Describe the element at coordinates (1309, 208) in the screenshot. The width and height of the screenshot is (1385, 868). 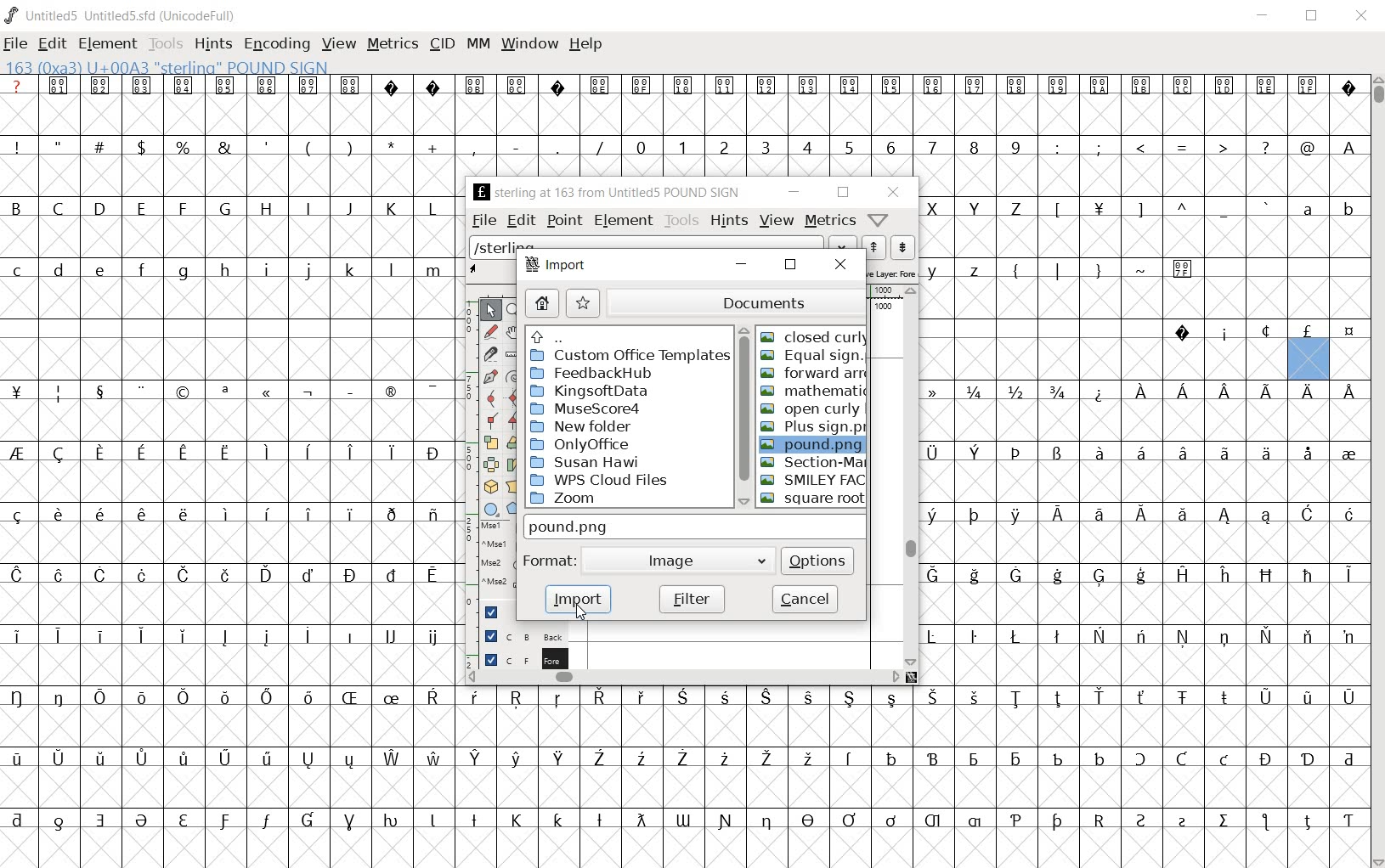
I see `a` at that location.